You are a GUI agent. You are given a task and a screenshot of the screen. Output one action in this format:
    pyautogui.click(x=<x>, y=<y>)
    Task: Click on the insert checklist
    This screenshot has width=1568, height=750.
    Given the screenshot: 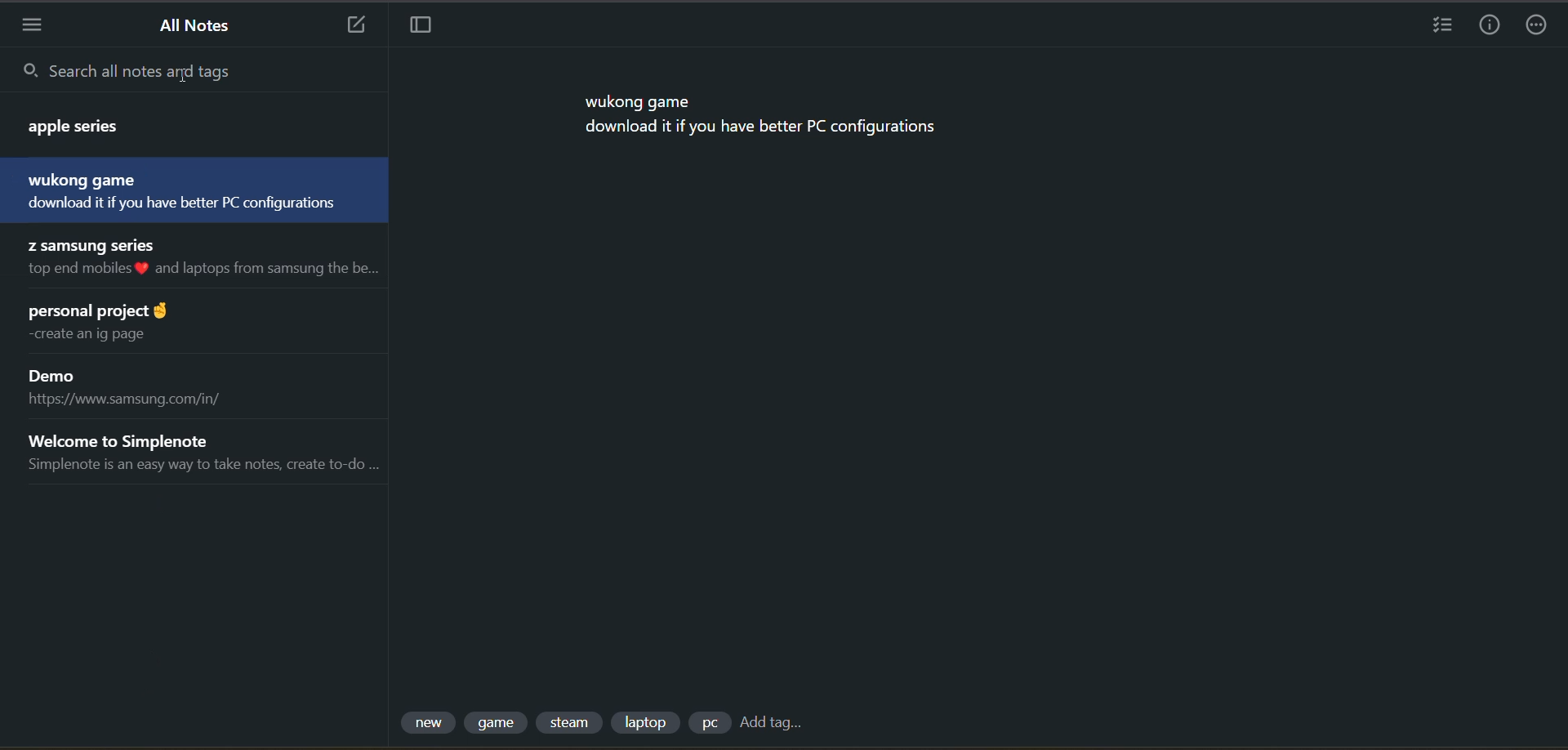 What is the action you would take?
    pyautogui.click(x=1437, y=26)
    